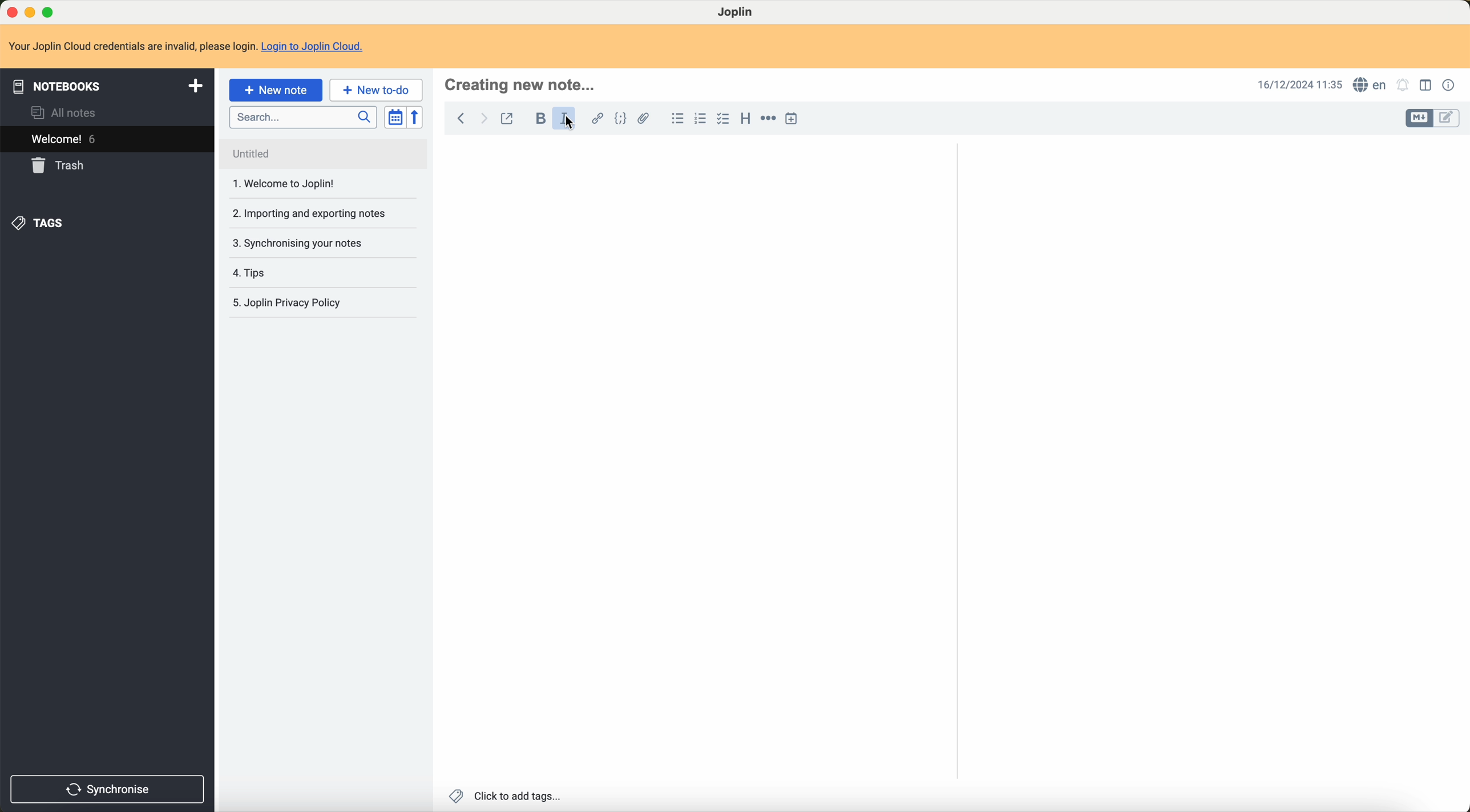 The image size is (1470, 812). Describe the element at coordinates (105, 85) in the screenshot. I see `notebooks` at that location.